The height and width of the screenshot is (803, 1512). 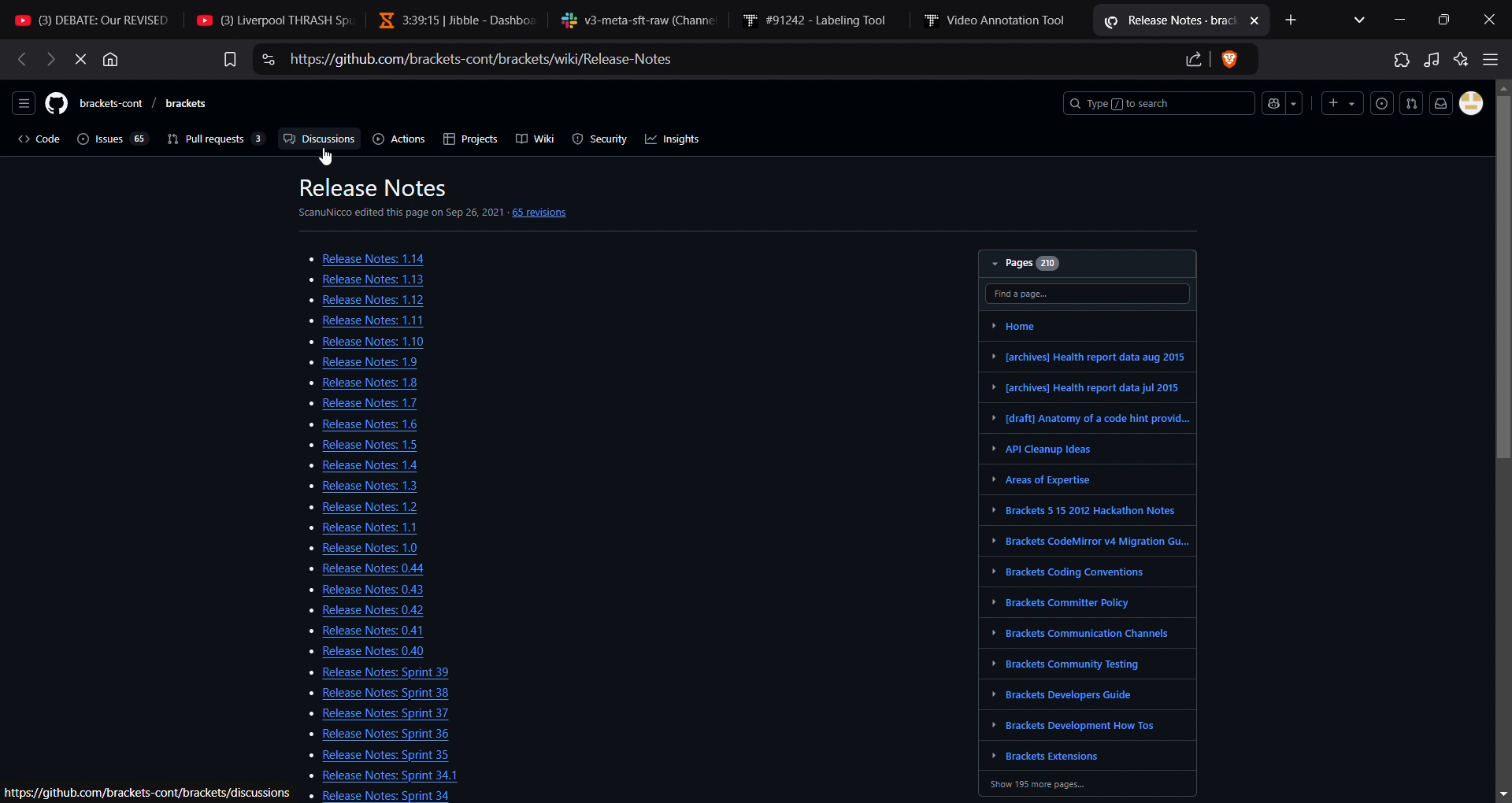 I want to click on close, so click(x=76, y=58).